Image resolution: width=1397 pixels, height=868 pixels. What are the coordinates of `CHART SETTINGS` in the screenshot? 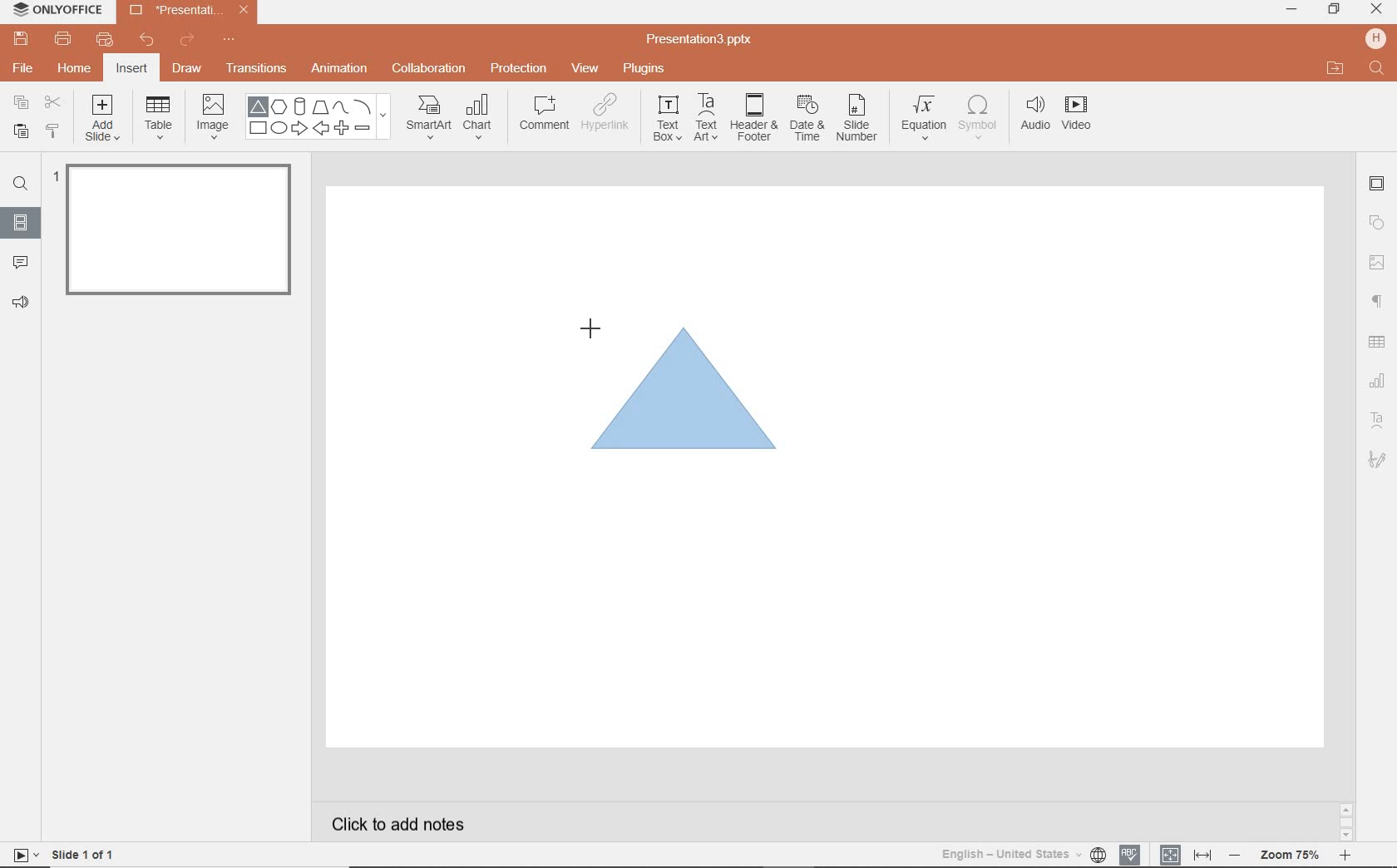 It's located at (1378, 379).